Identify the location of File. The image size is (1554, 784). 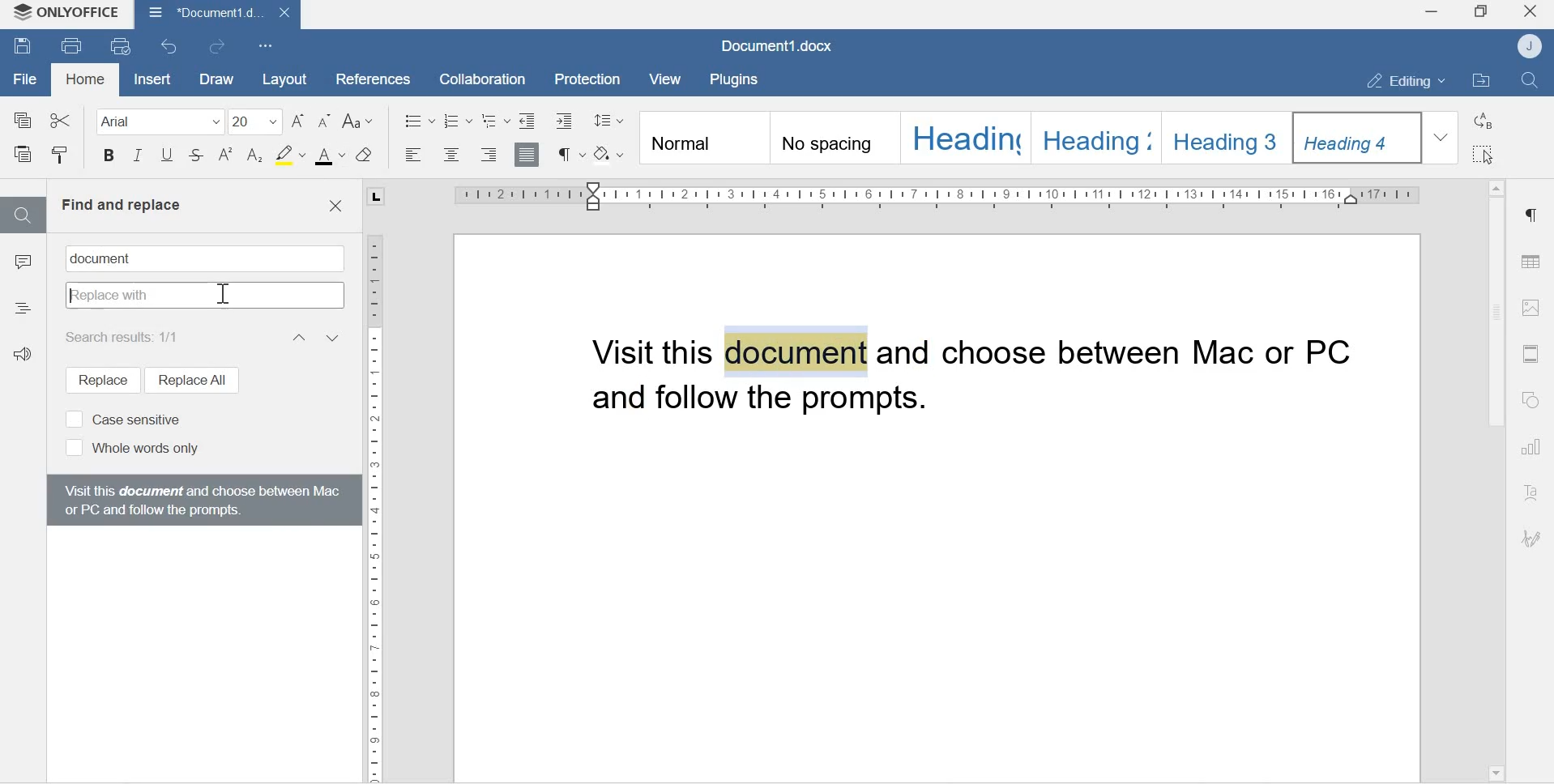
(25, 79).